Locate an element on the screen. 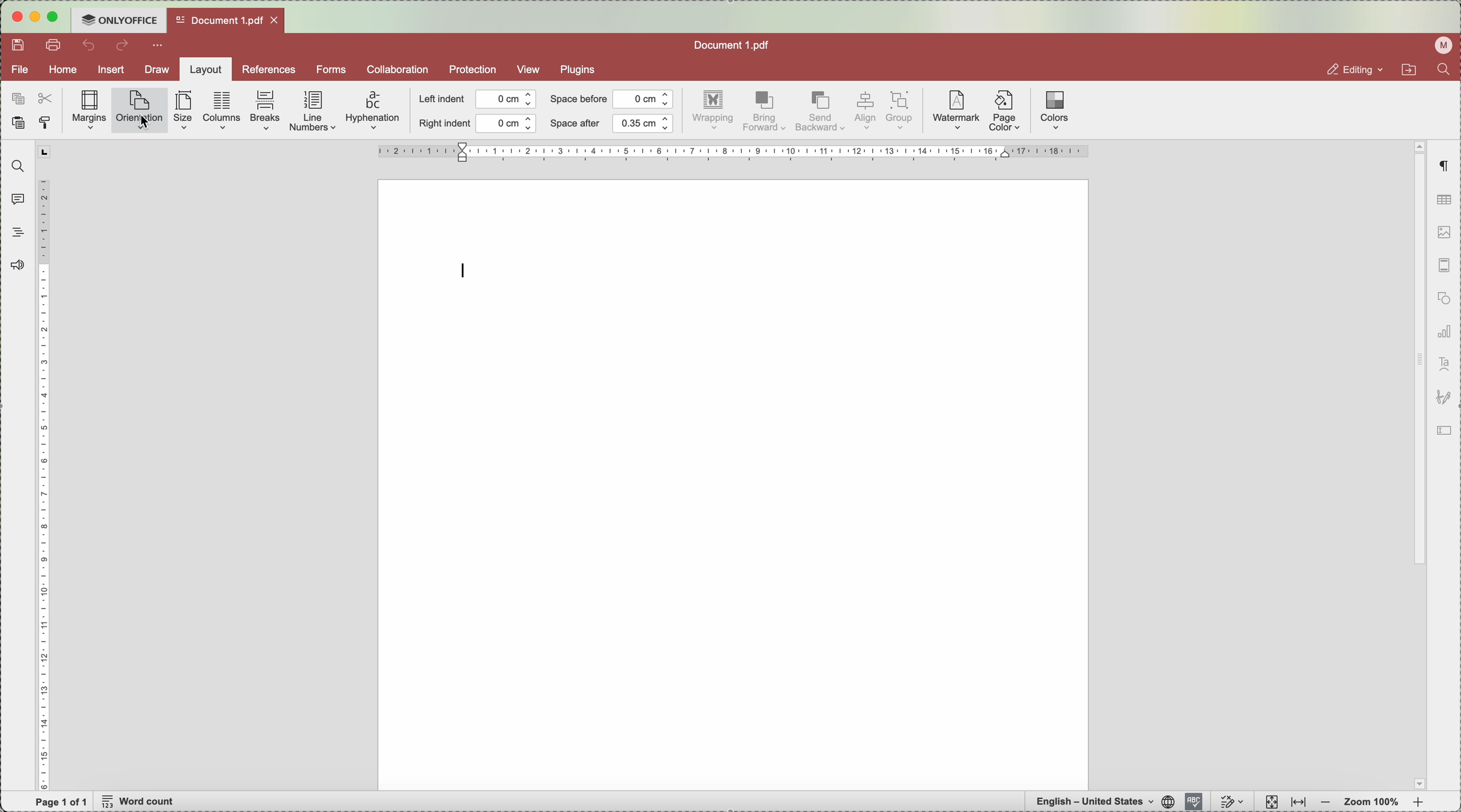 The image size is (1461, 812). file is located at coordinates (20, 70).